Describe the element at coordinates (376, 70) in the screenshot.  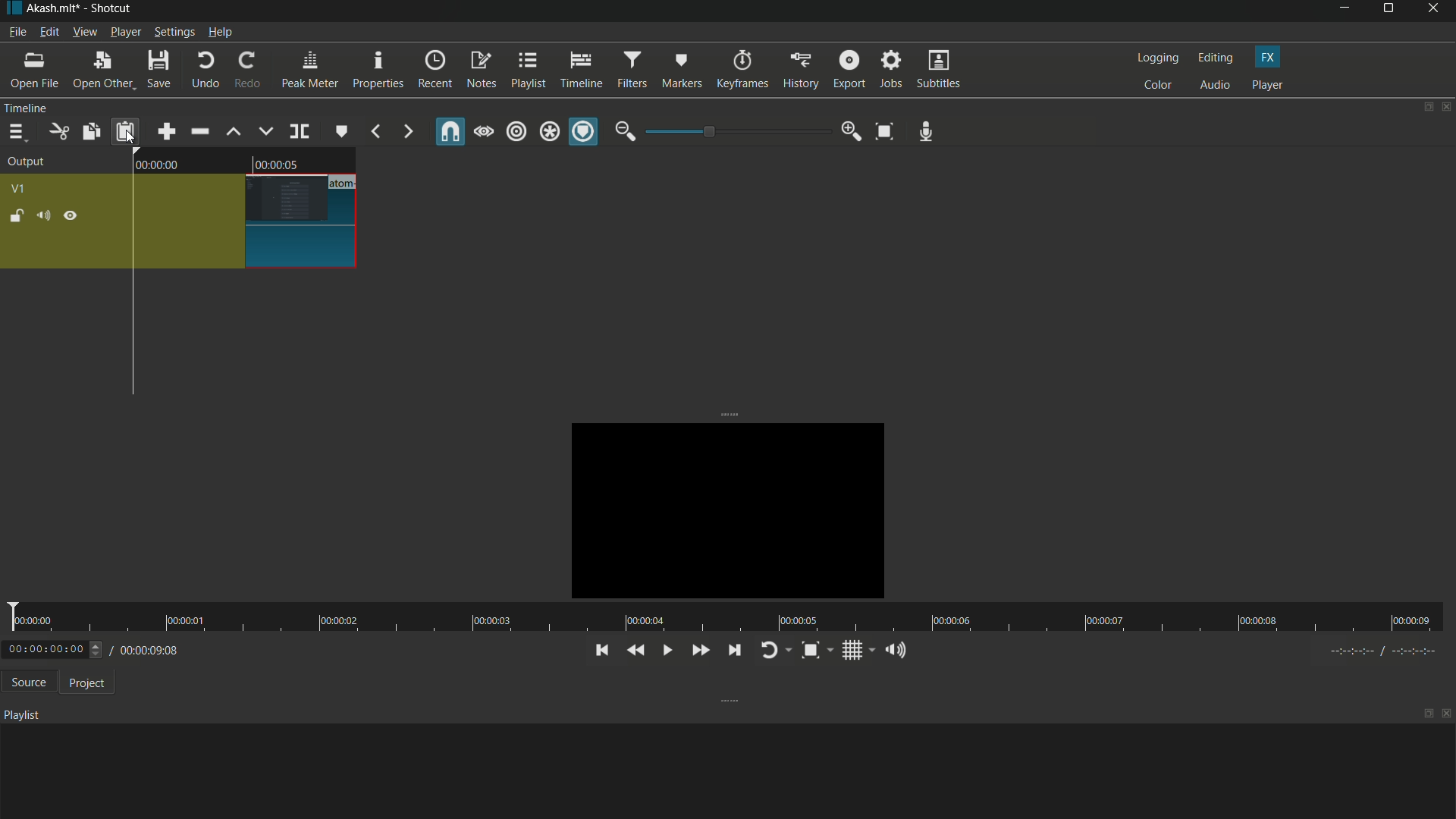
I see `properties` at that location.